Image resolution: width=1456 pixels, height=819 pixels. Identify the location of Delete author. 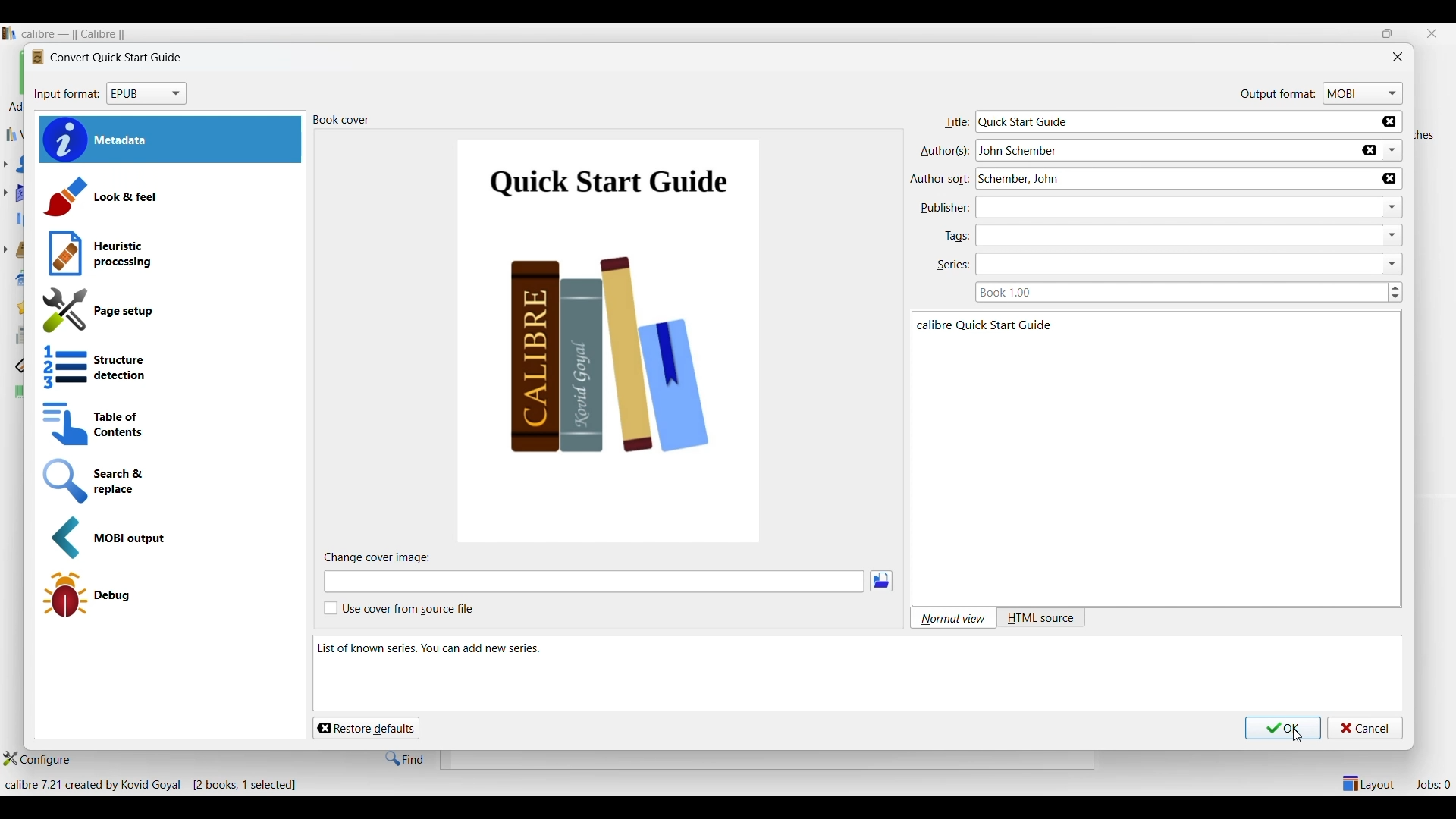
(1389, 178).